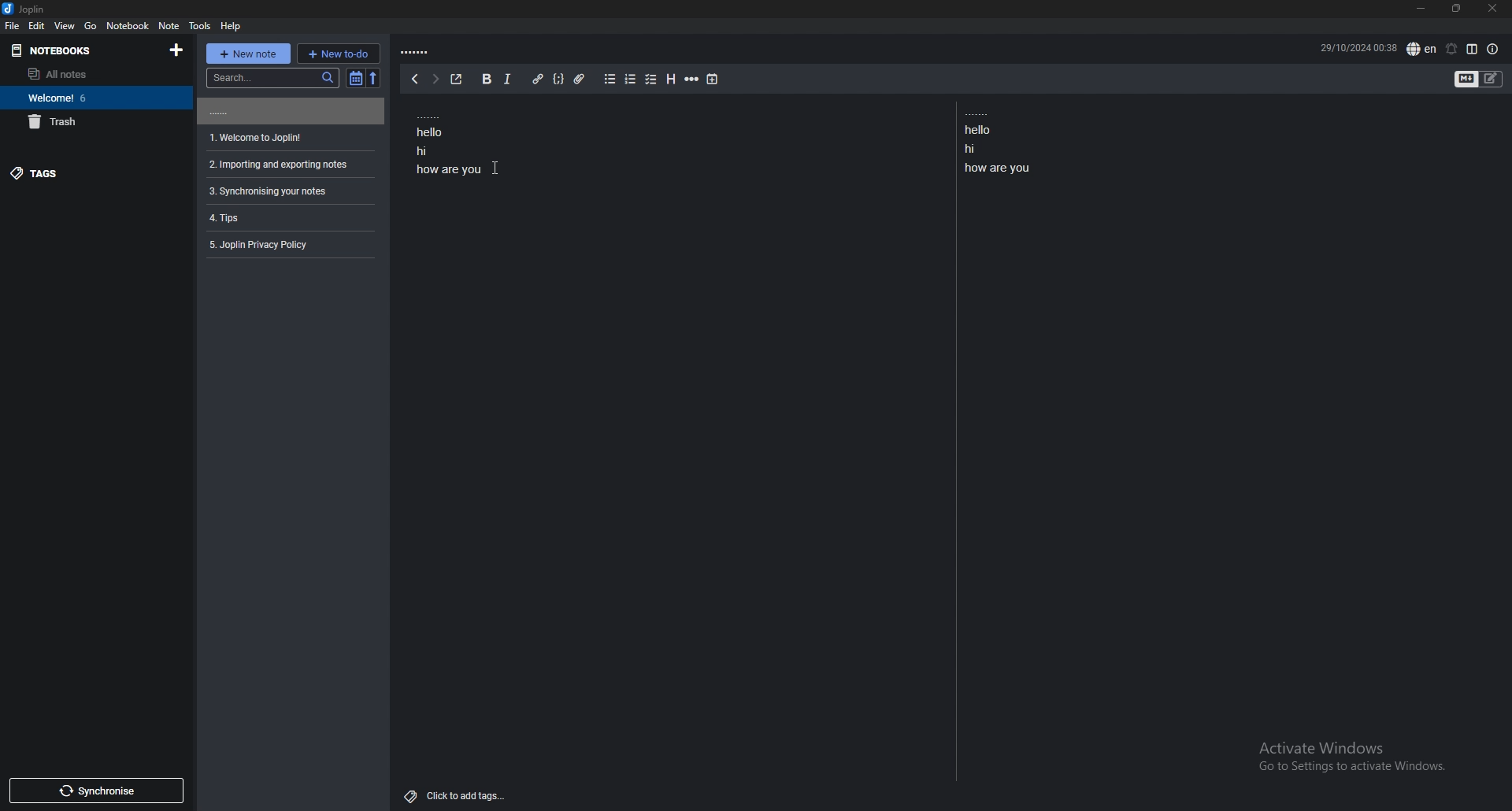 This screenshot has width=1512, height=811. I want to click on note, so click(288, 165).